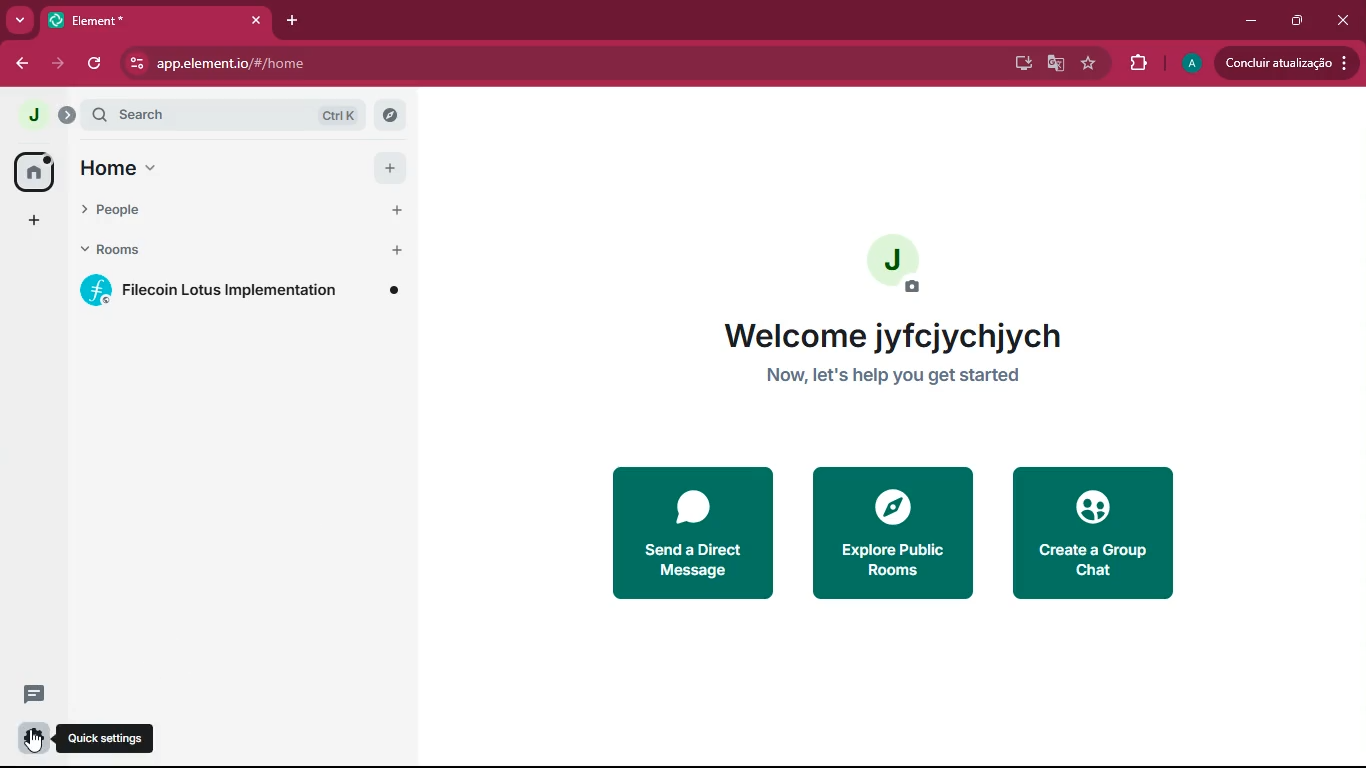 The width and height of the screenshot is (1366, 768). I want to click on profile picture, so click(27, 114).